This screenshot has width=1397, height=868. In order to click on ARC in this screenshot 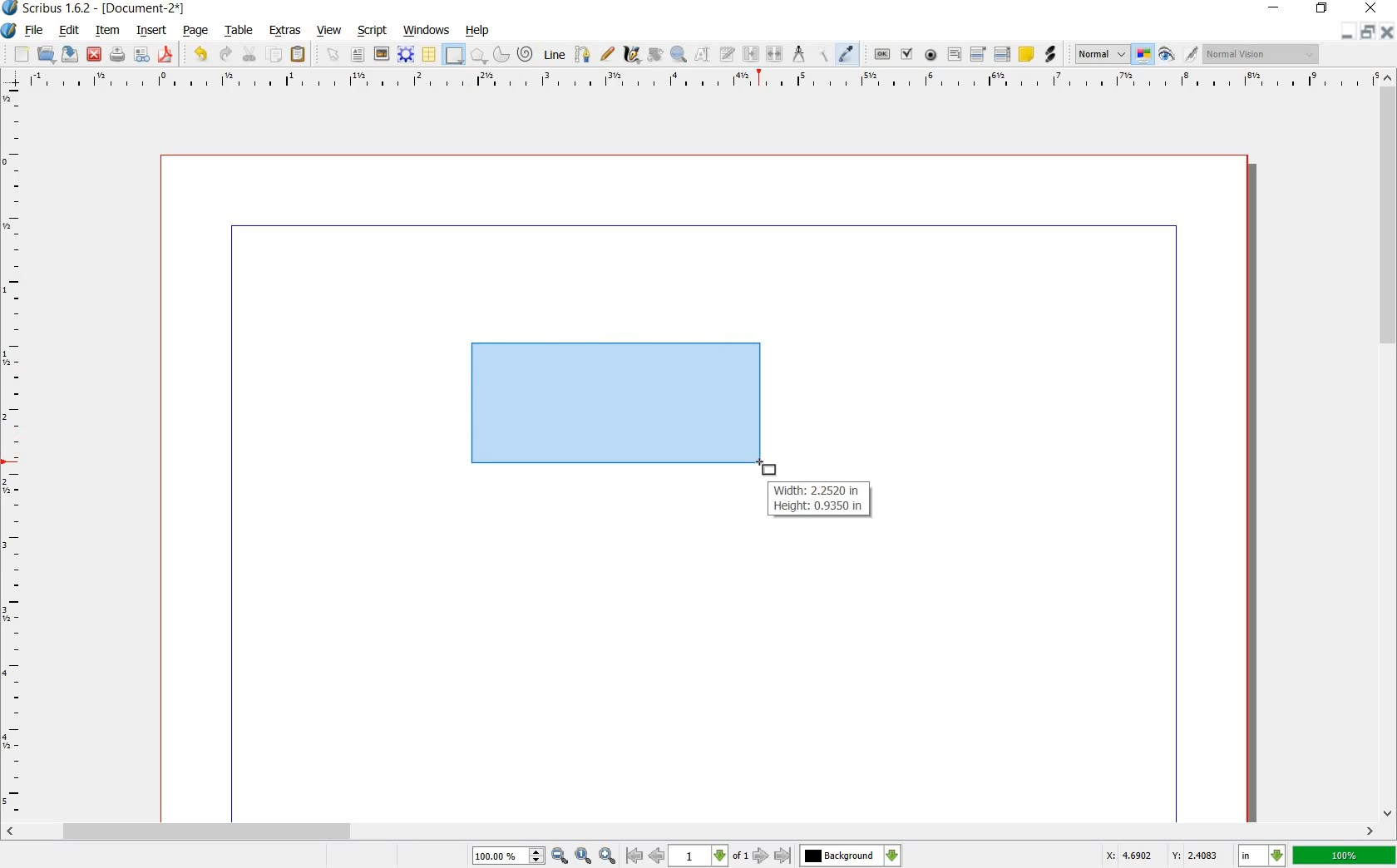, I will do `click(501, 53)`.